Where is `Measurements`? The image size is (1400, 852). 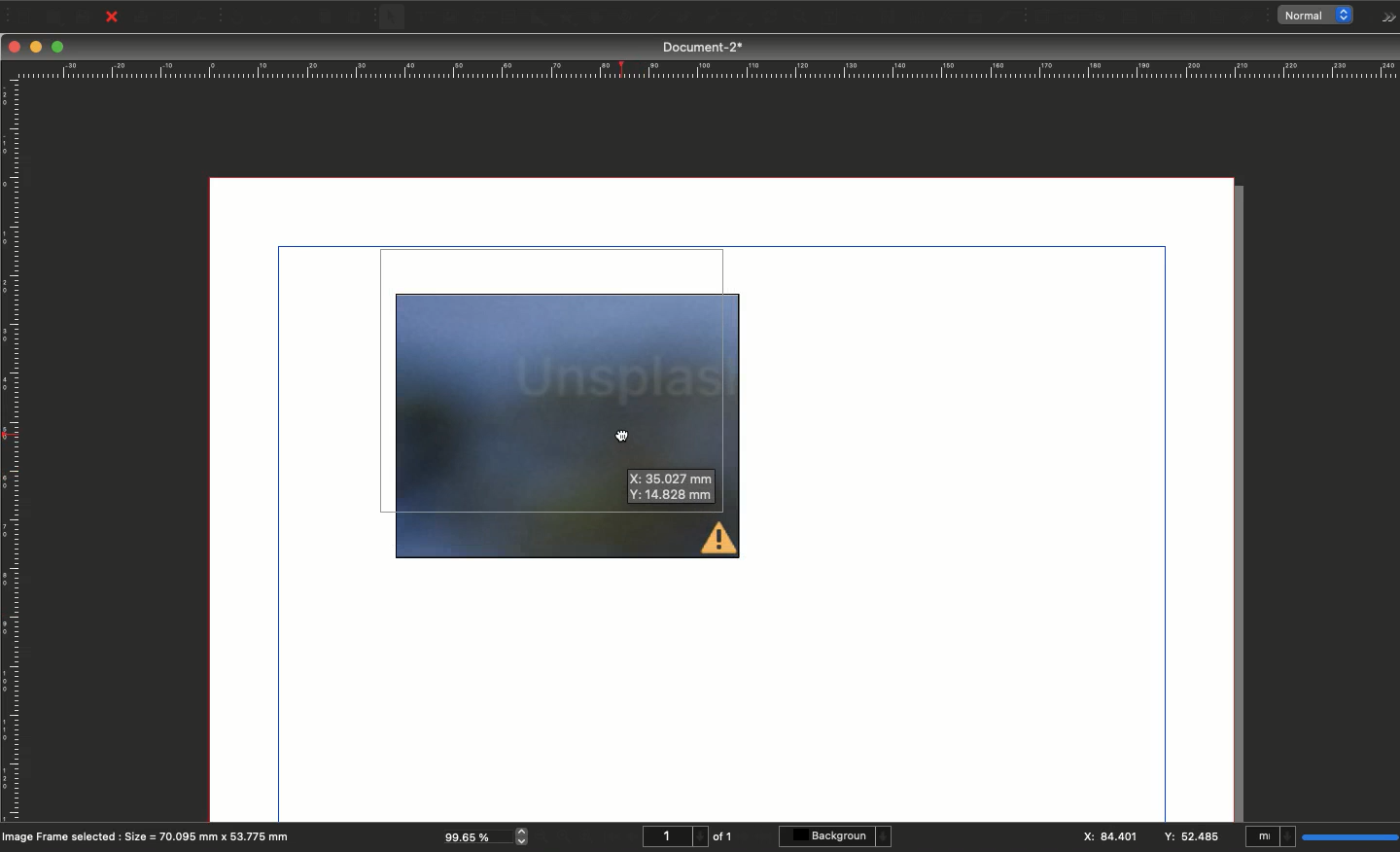 Measurements is located at coordinates (941, 18).